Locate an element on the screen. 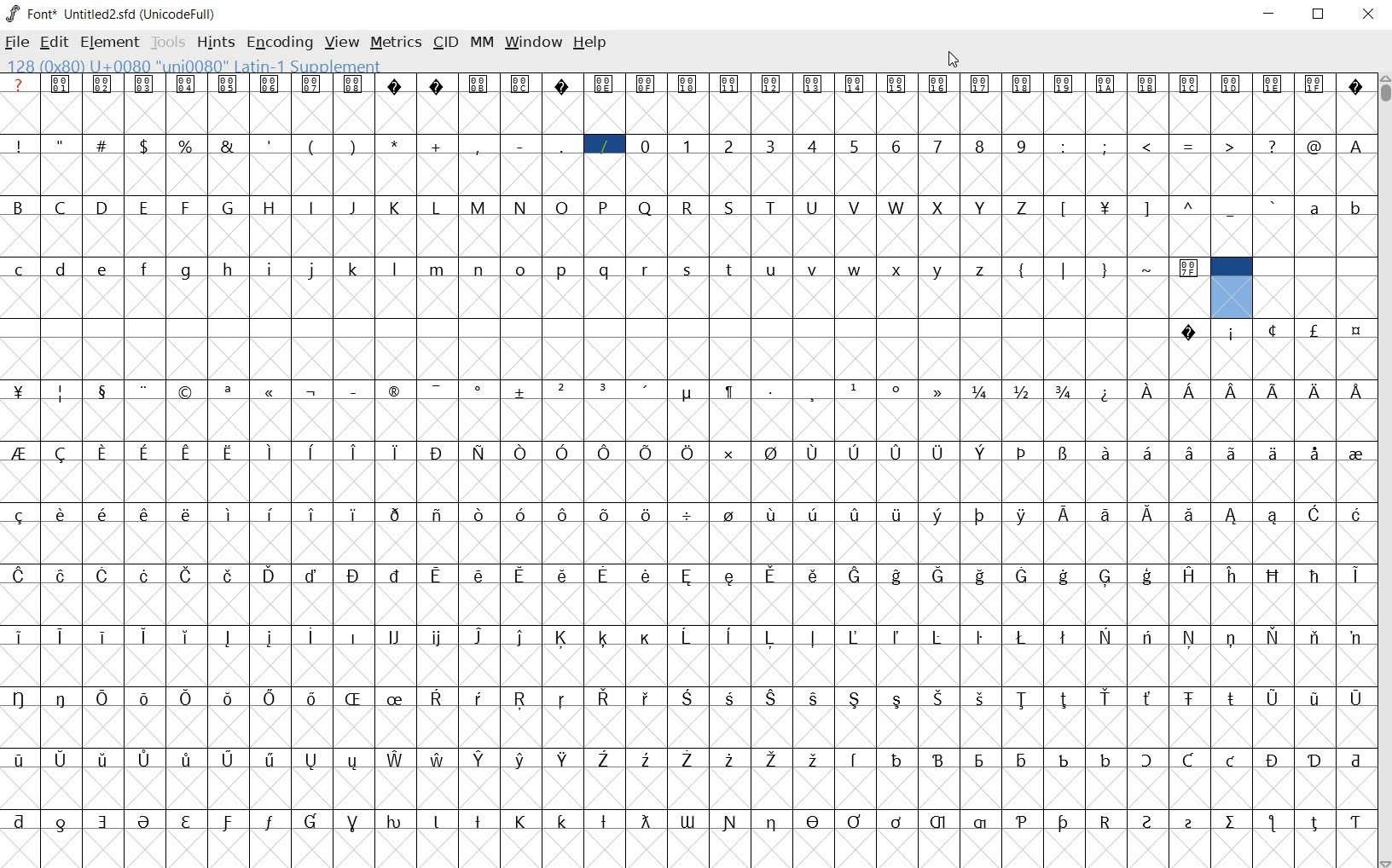 The height and width of the screenshot is (868, 1392). Symbol is located at coordinates (438, 575).